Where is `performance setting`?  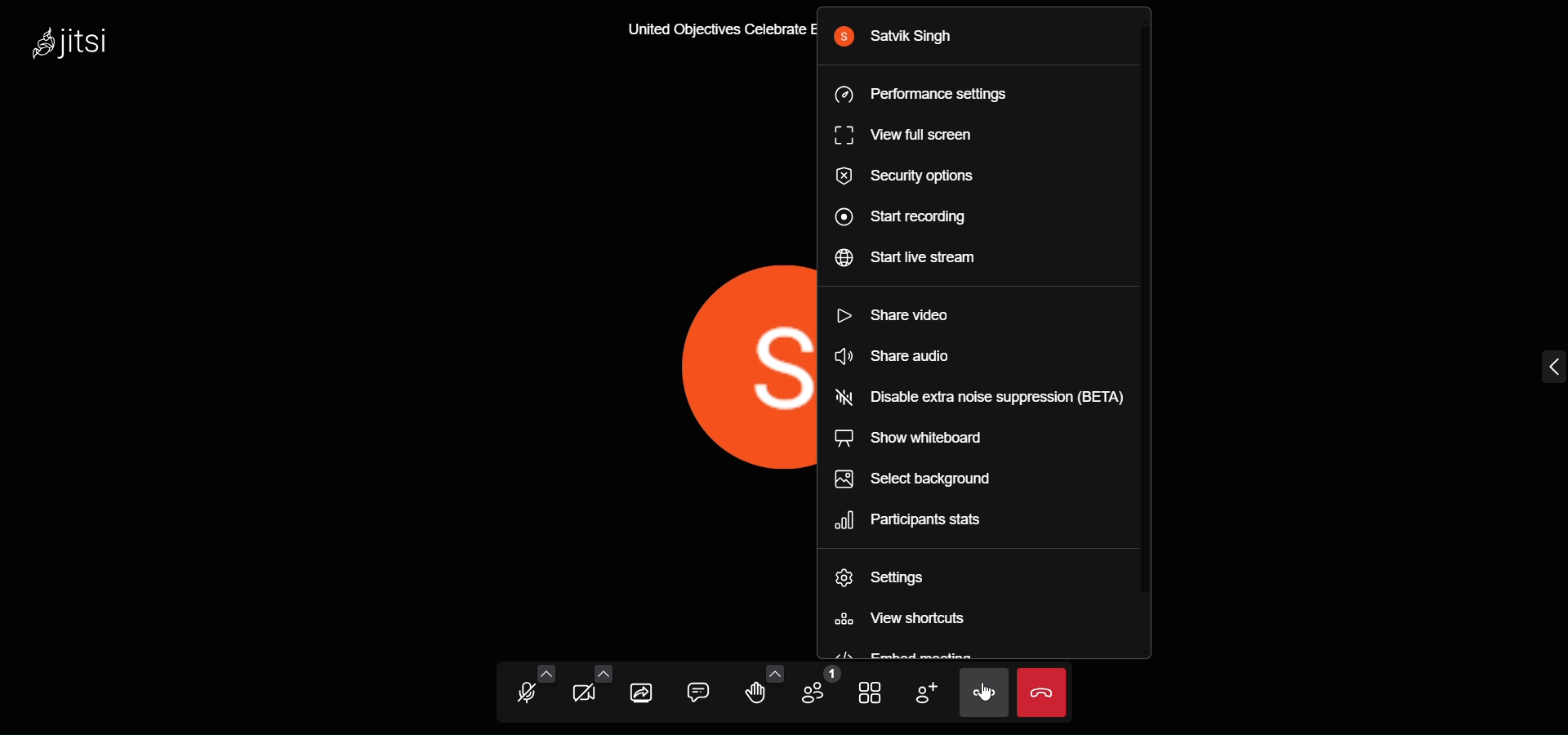 performance setting is located at coordinates (937, 95).